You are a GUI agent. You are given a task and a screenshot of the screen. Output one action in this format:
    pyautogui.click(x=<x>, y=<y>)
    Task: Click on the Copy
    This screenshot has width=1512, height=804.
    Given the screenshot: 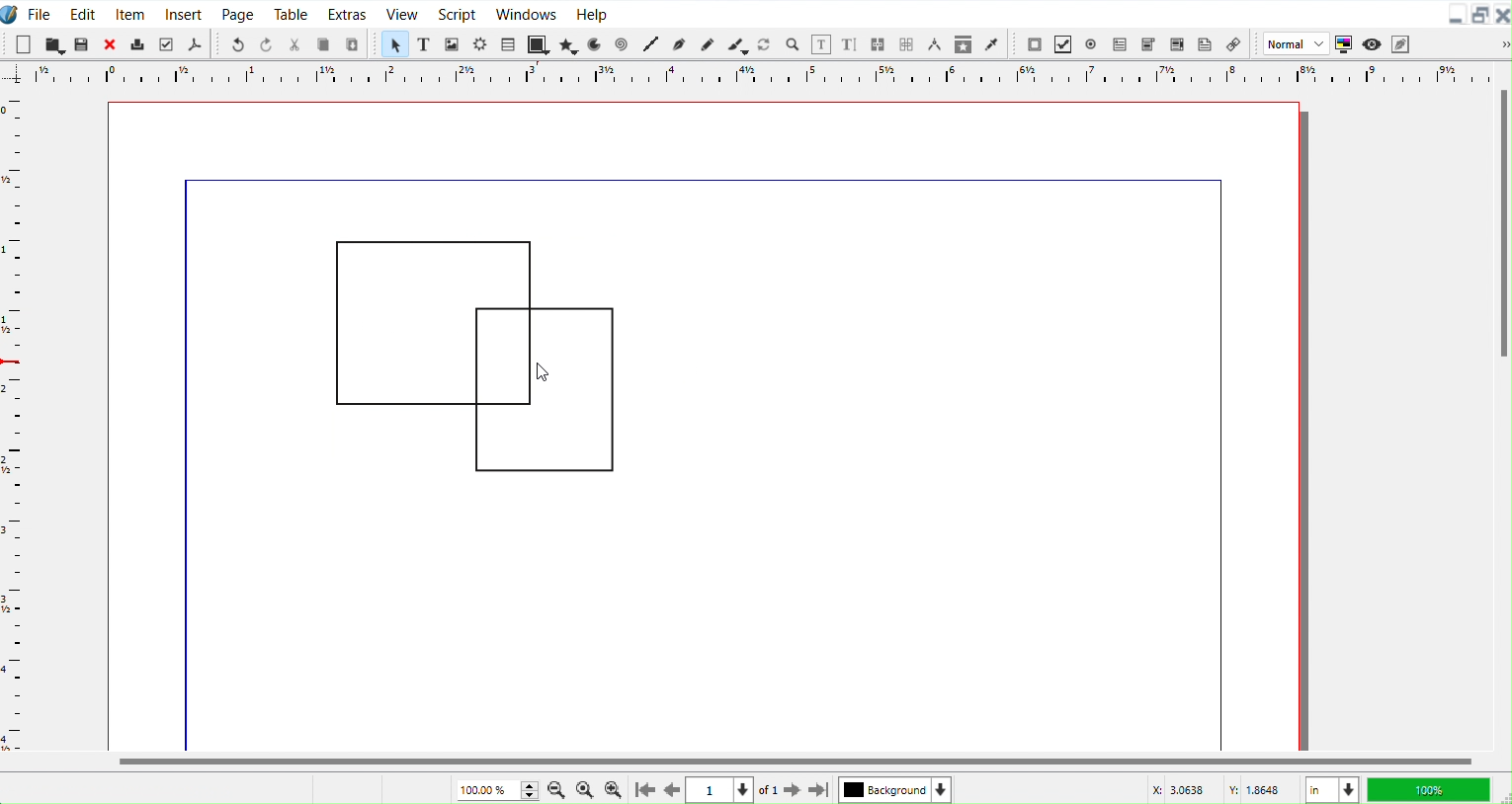 What is the action you would take?
    pyautogui.click(x=325, y=43)
    